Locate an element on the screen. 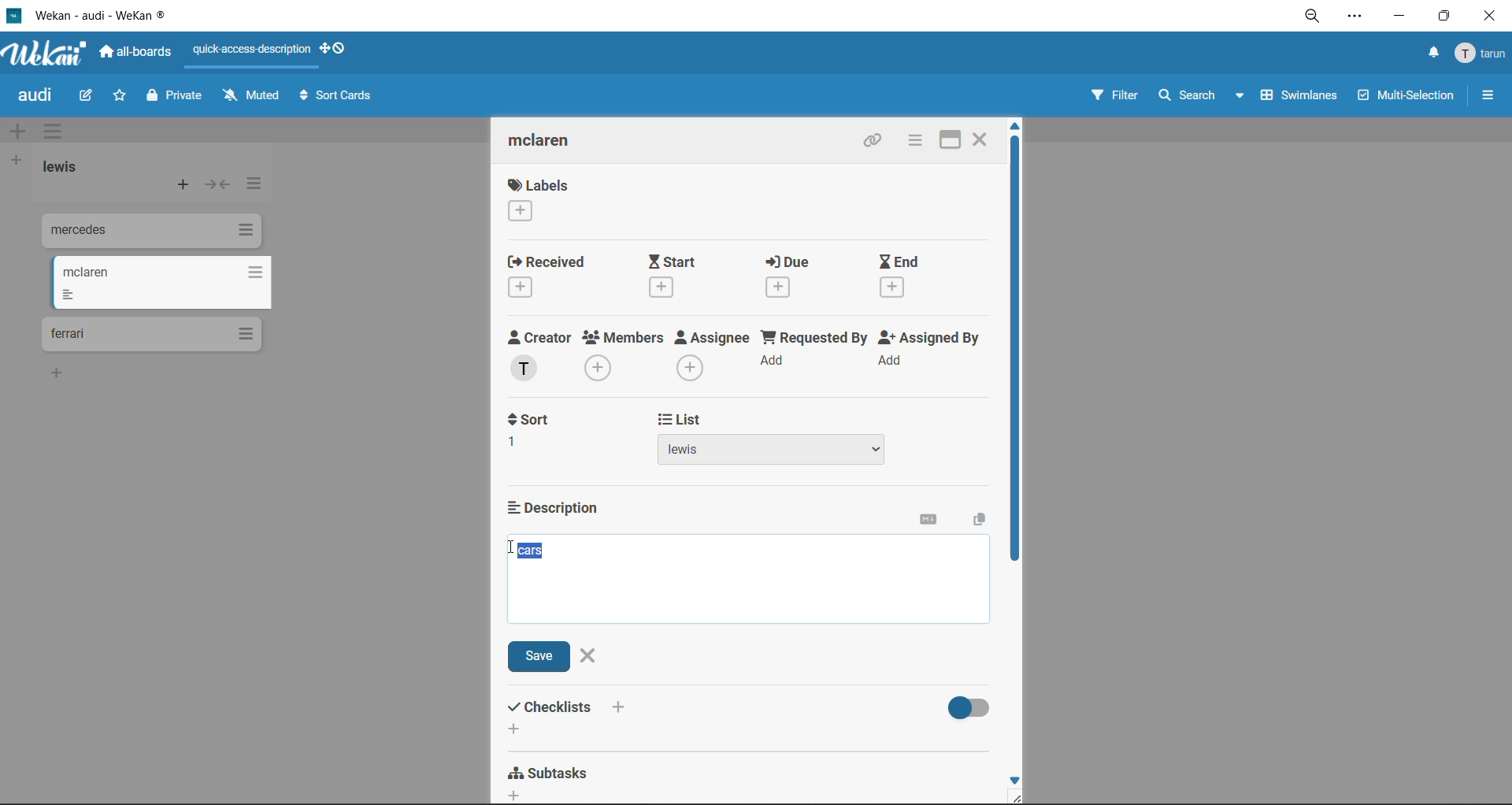 The image size is (1512, 805). show desktop drag handles is located at coordinates (336, 48).